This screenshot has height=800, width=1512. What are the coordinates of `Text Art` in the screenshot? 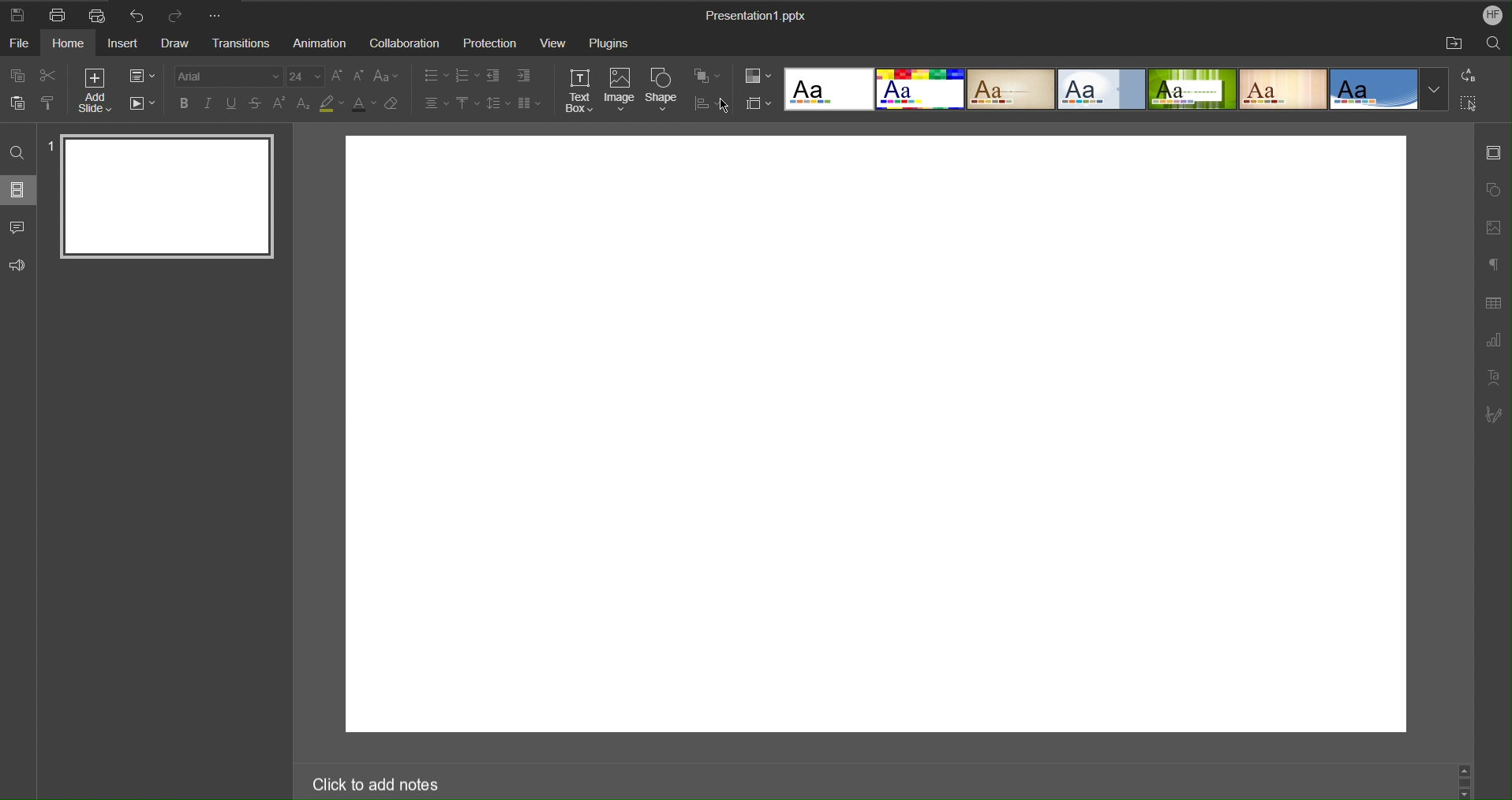 It's located at (1493, 379).